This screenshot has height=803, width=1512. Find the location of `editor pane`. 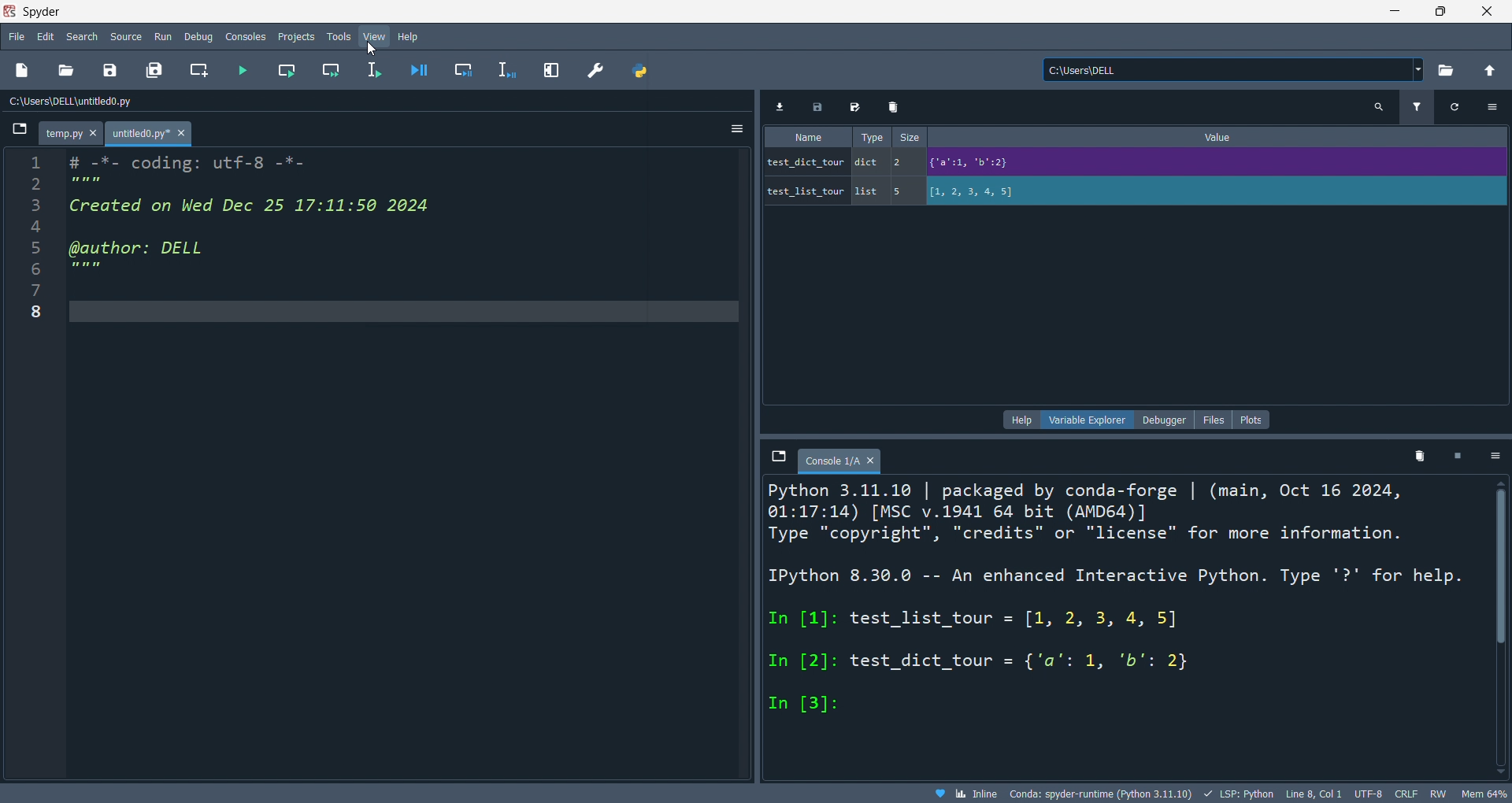

editor pane is located at coordinates (277, 222).